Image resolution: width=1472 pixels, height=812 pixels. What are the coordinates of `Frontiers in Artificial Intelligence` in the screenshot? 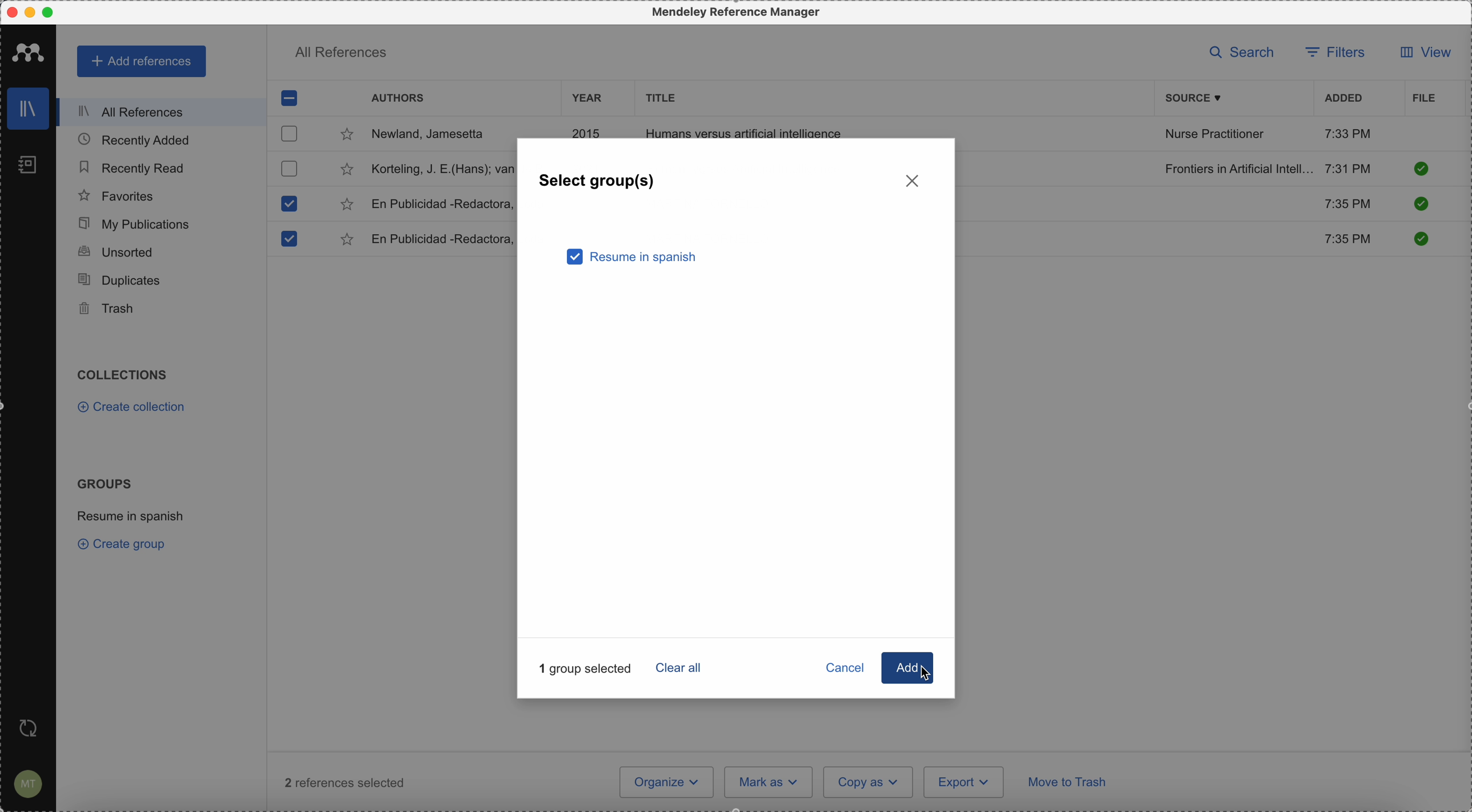 It's located at (1238, 169).